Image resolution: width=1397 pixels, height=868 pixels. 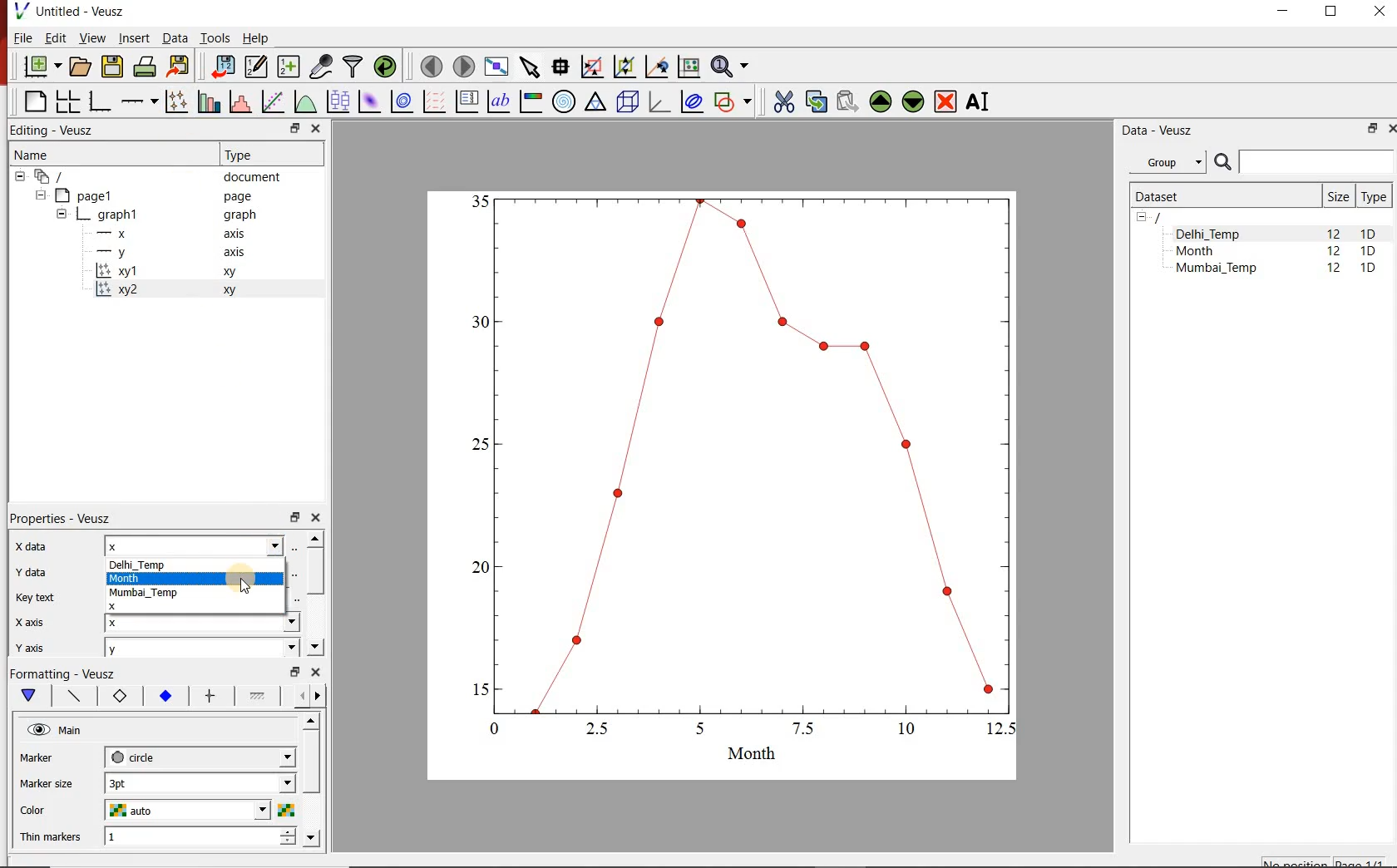 What do you see at coordinates (592, 67) in the screenshot?
I see `click or draw a rectangle to zoom graph indexes` at bounding box center [592, 67].